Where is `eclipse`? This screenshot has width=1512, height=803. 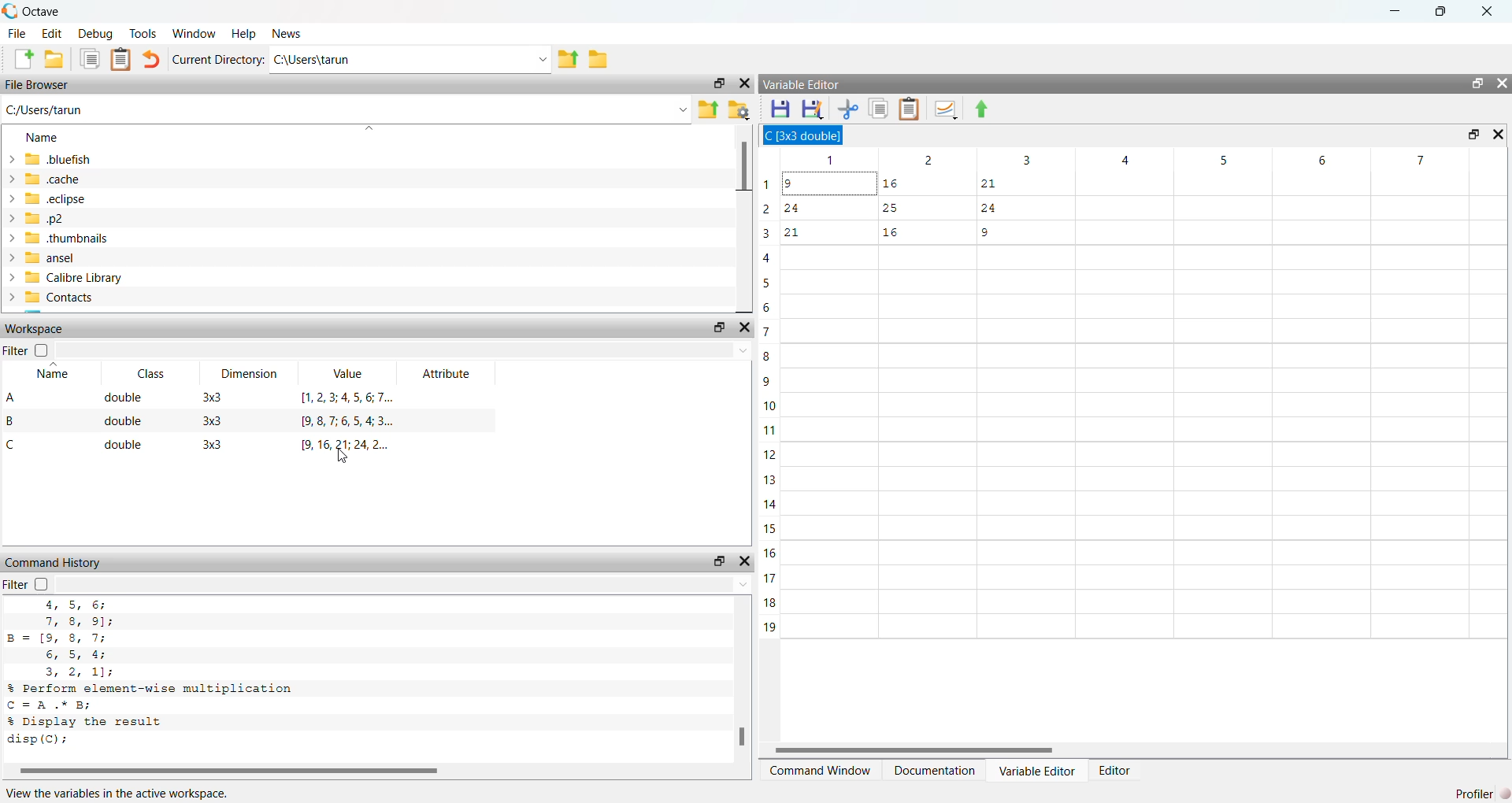 eclipse is located at coordinates (48, 199).